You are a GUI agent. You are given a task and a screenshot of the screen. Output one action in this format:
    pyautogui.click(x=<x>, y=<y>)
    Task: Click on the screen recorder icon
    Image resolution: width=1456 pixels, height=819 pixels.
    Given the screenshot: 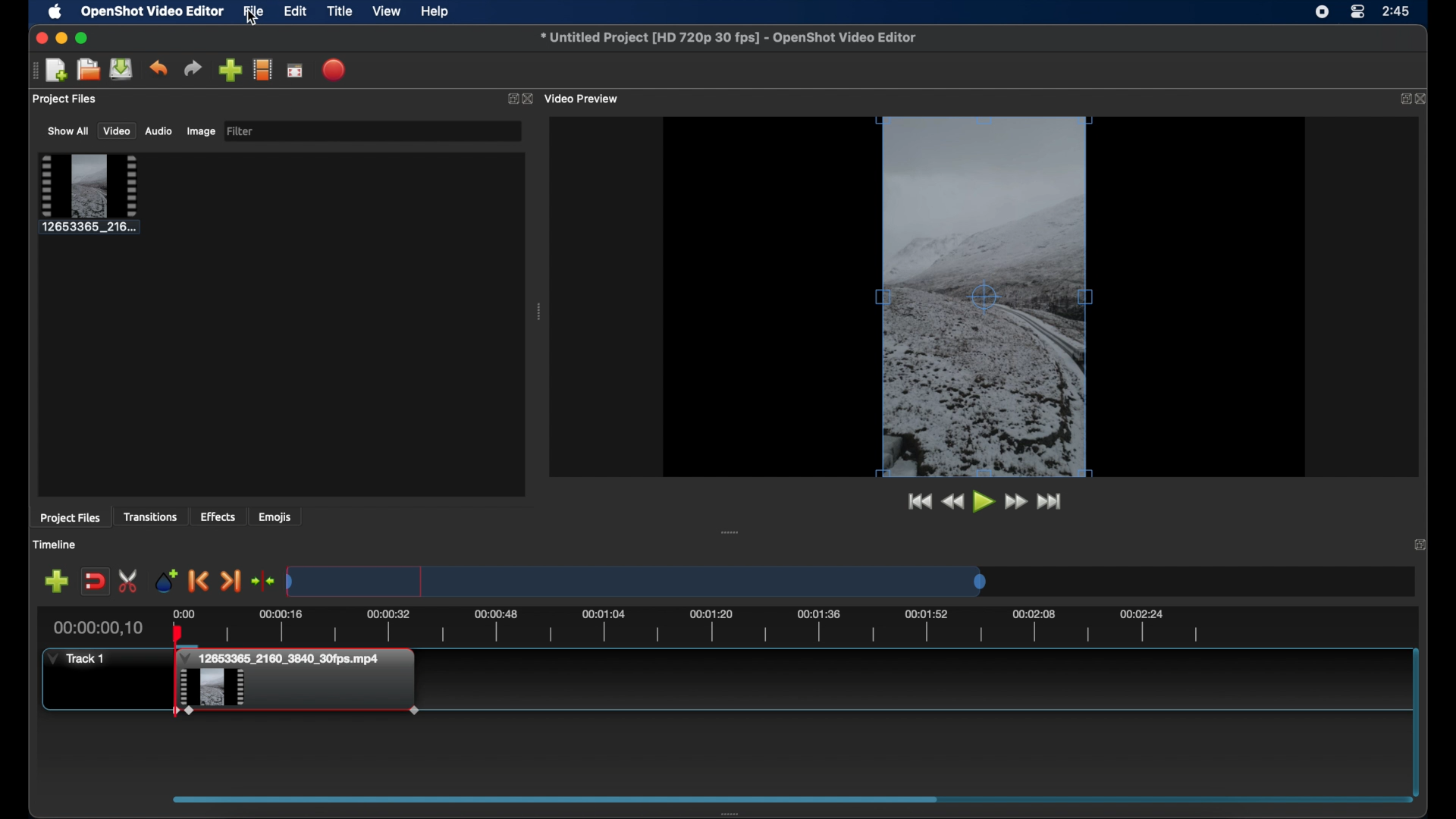 What is the action you would take?
    pyautogui.click(x=1321, y=14)
    